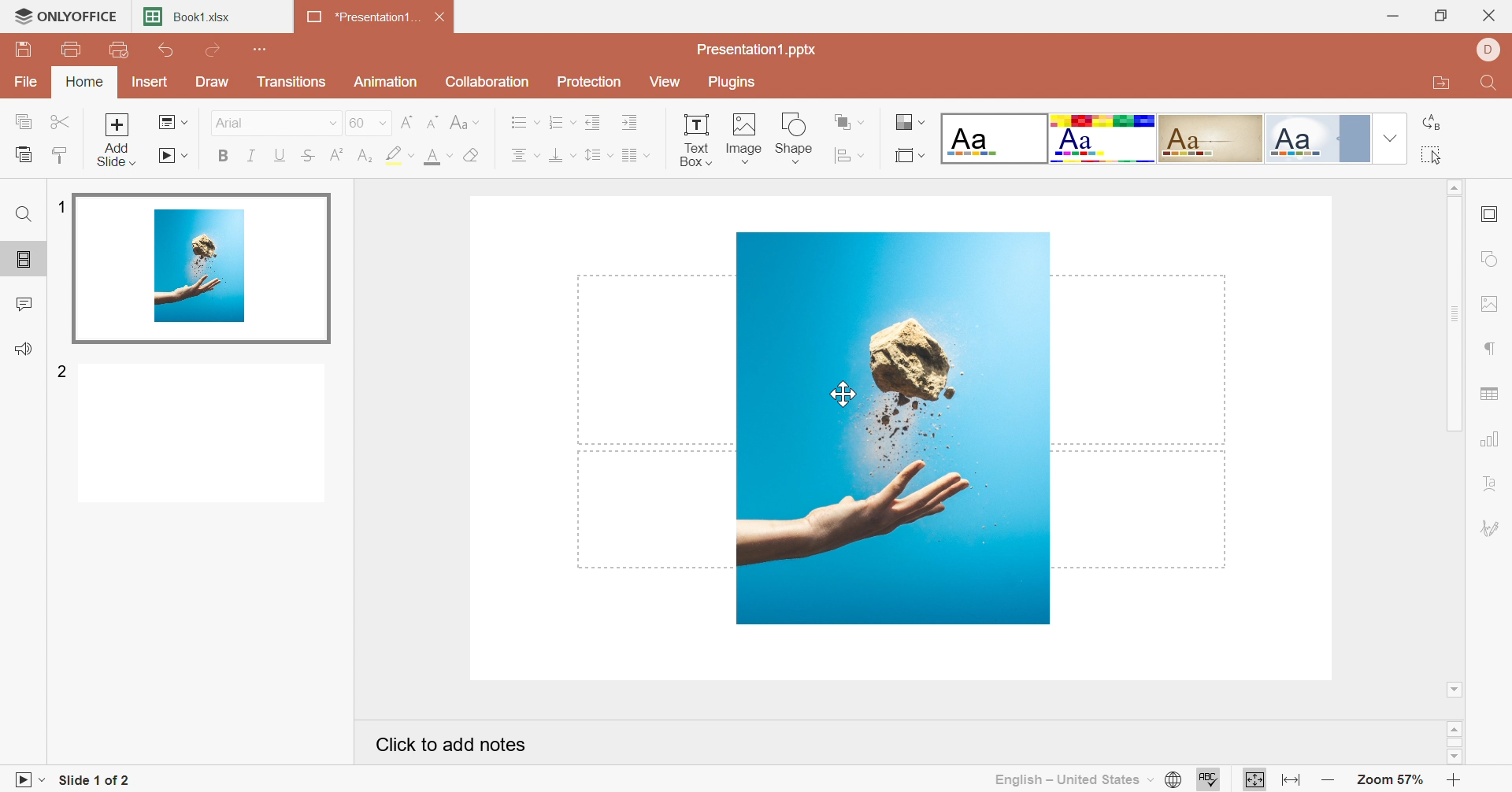  Describe the element at coordinates (910, 154) in the screenshot. I see `Select slide layout` at that location.